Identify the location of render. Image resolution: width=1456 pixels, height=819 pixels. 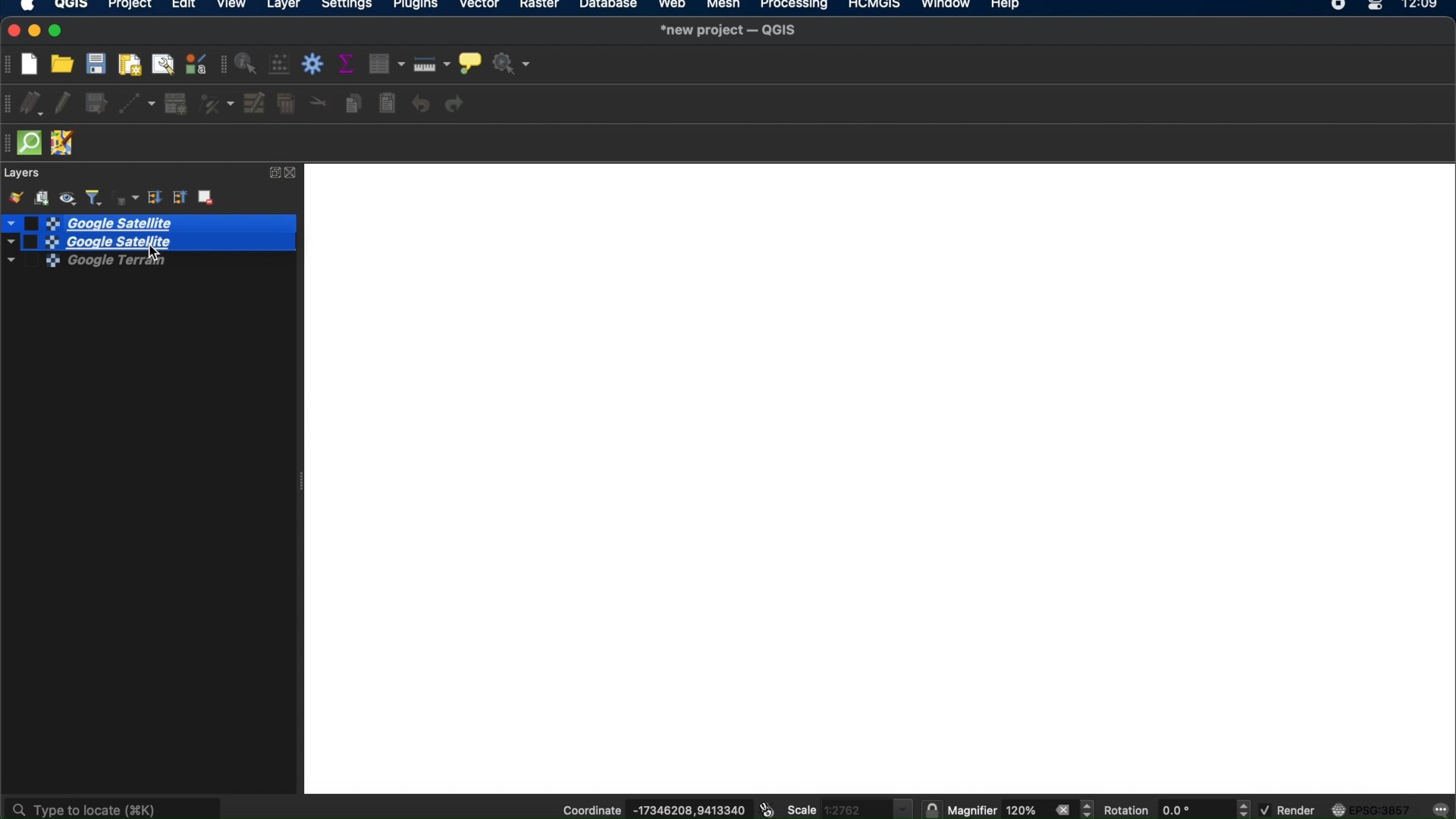
(1287, 810).